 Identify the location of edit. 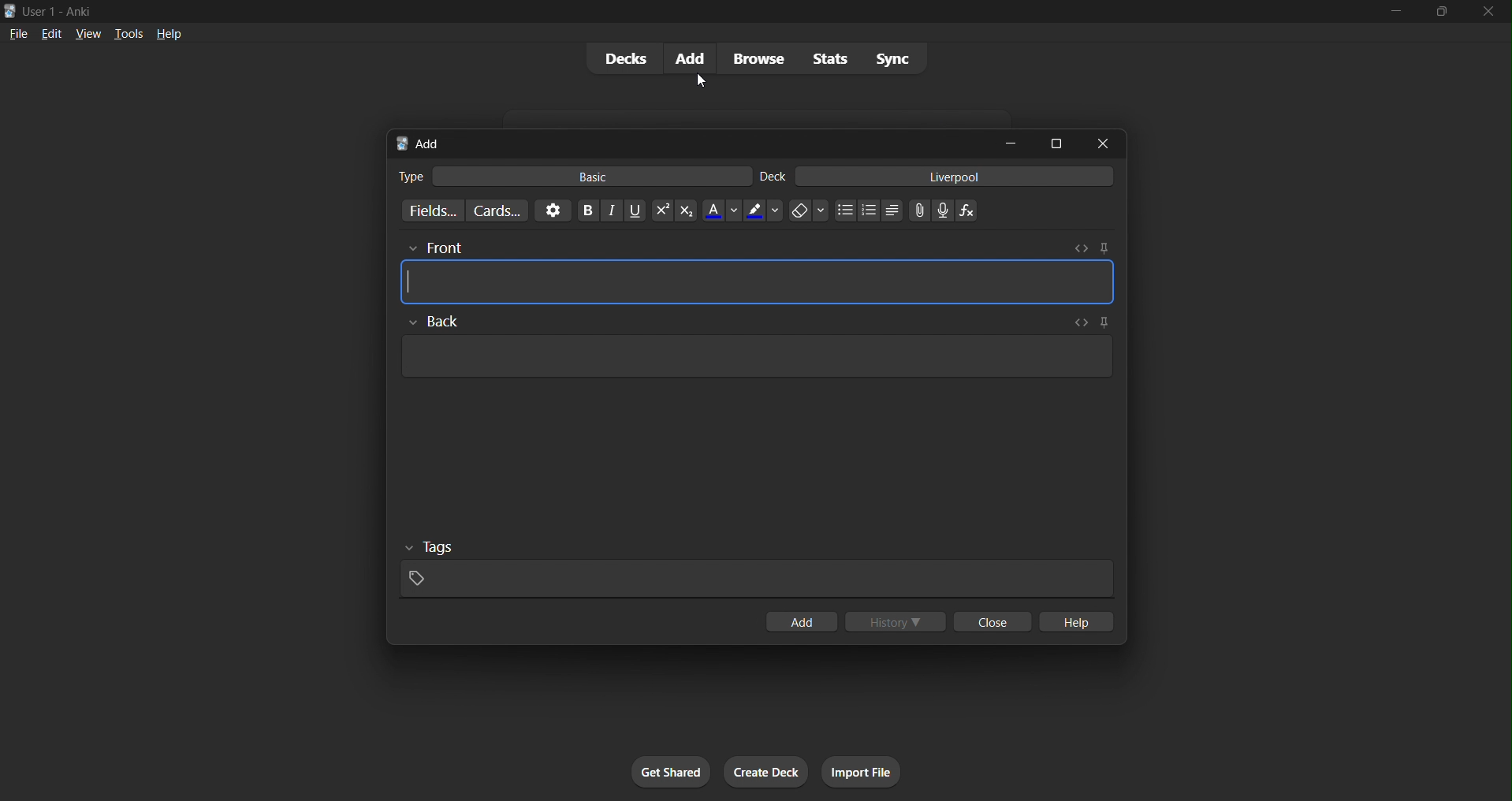
(50, 32).